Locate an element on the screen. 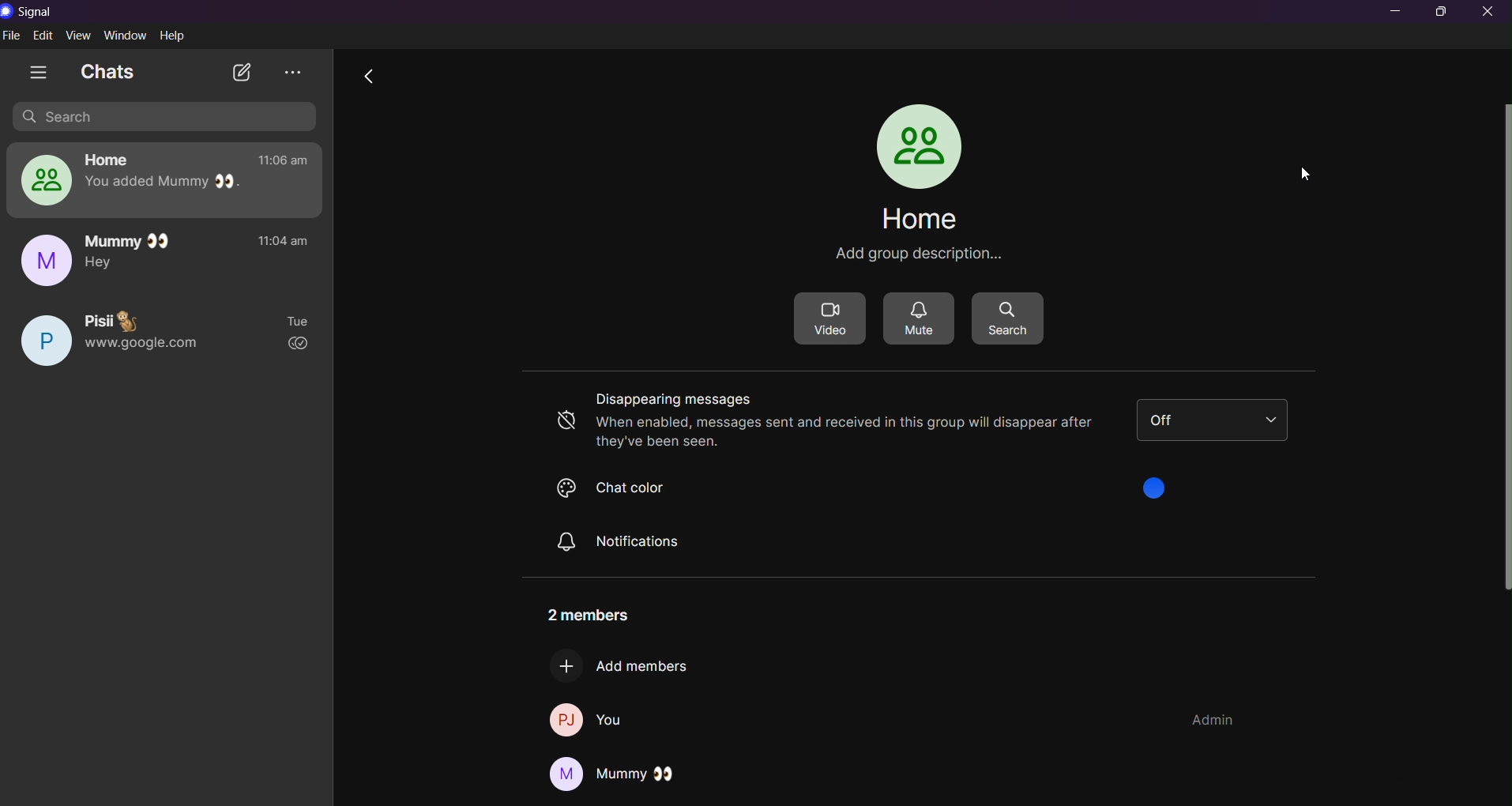 This screenshot has height=806, width=1512. file is located at coordinates (13, 36).